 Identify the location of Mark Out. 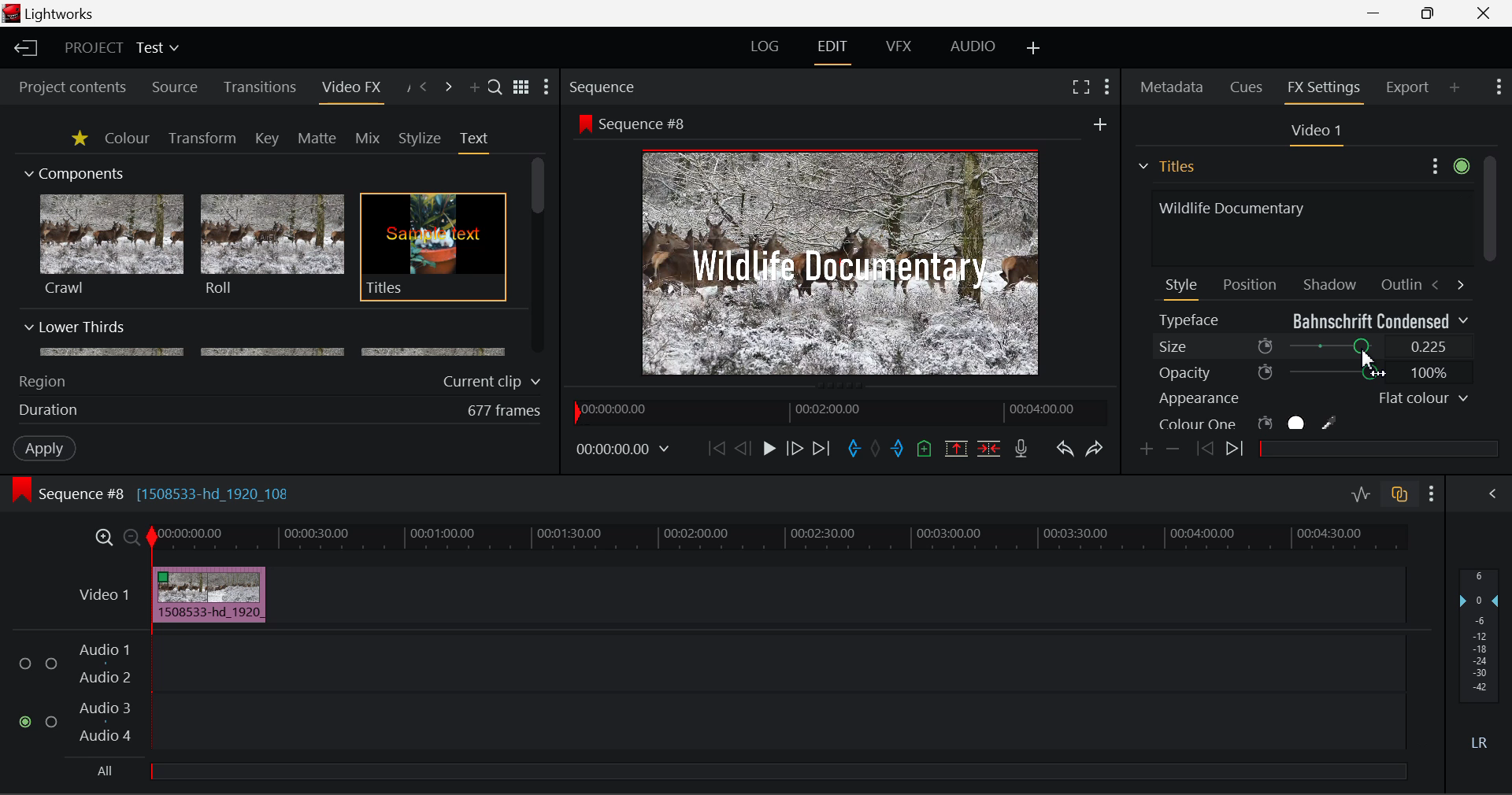
(899, 450).